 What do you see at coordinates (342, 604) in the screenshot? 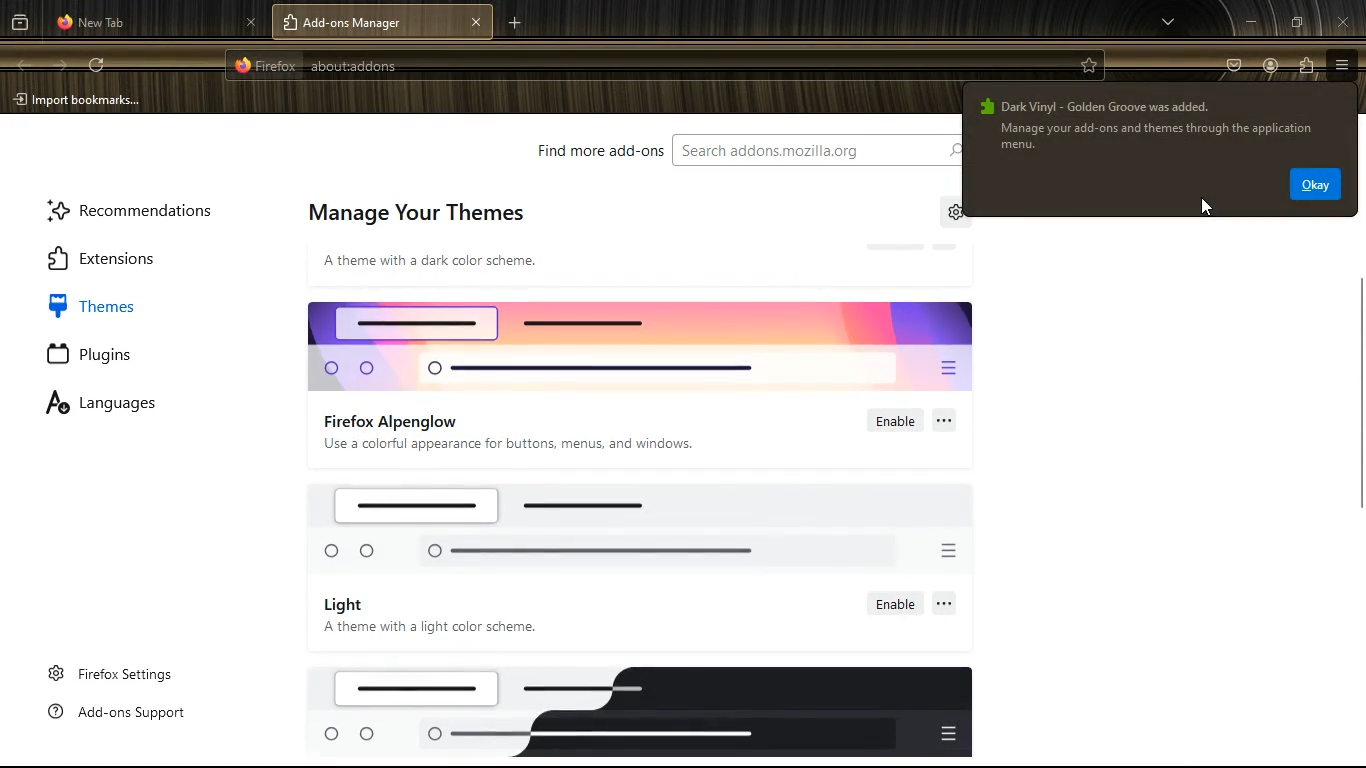
I see `Light` at bounding box center [342, 604].